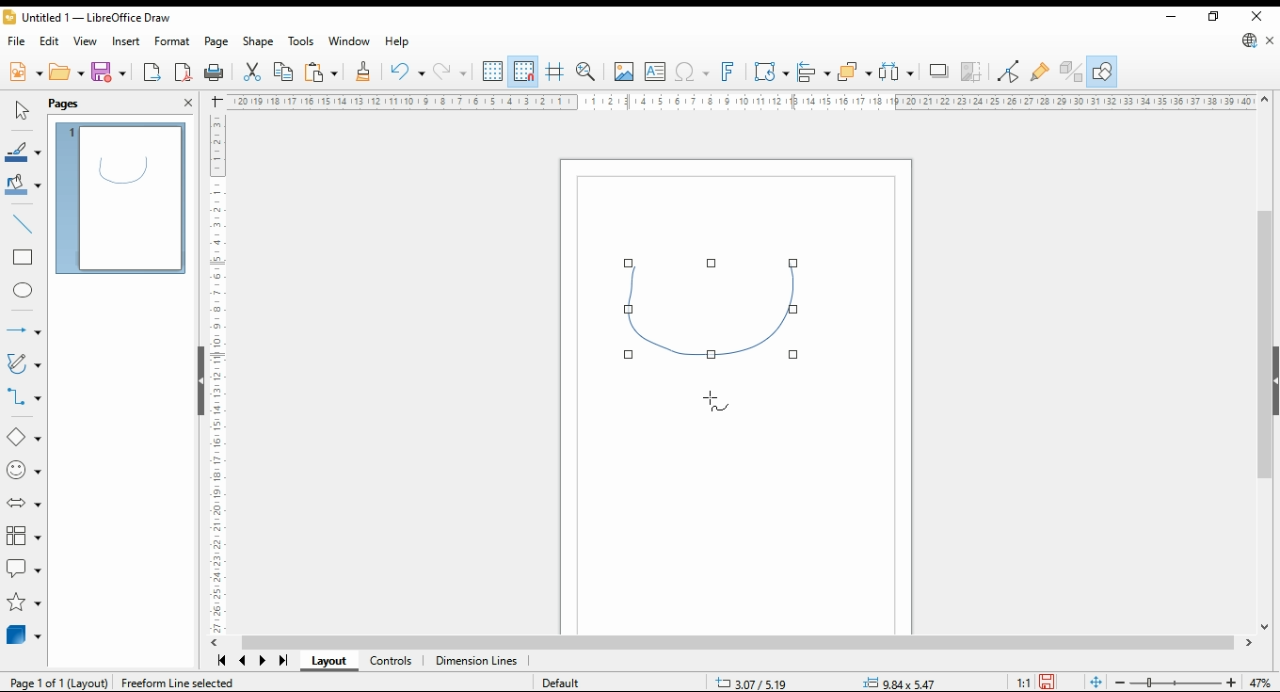 The height and width of the screenshot is (692, 1280). What do you see at coordinates (60, 682) in the screenshot?
I see `page 1 of 1  (layout)` at bounding box center [60, 682].